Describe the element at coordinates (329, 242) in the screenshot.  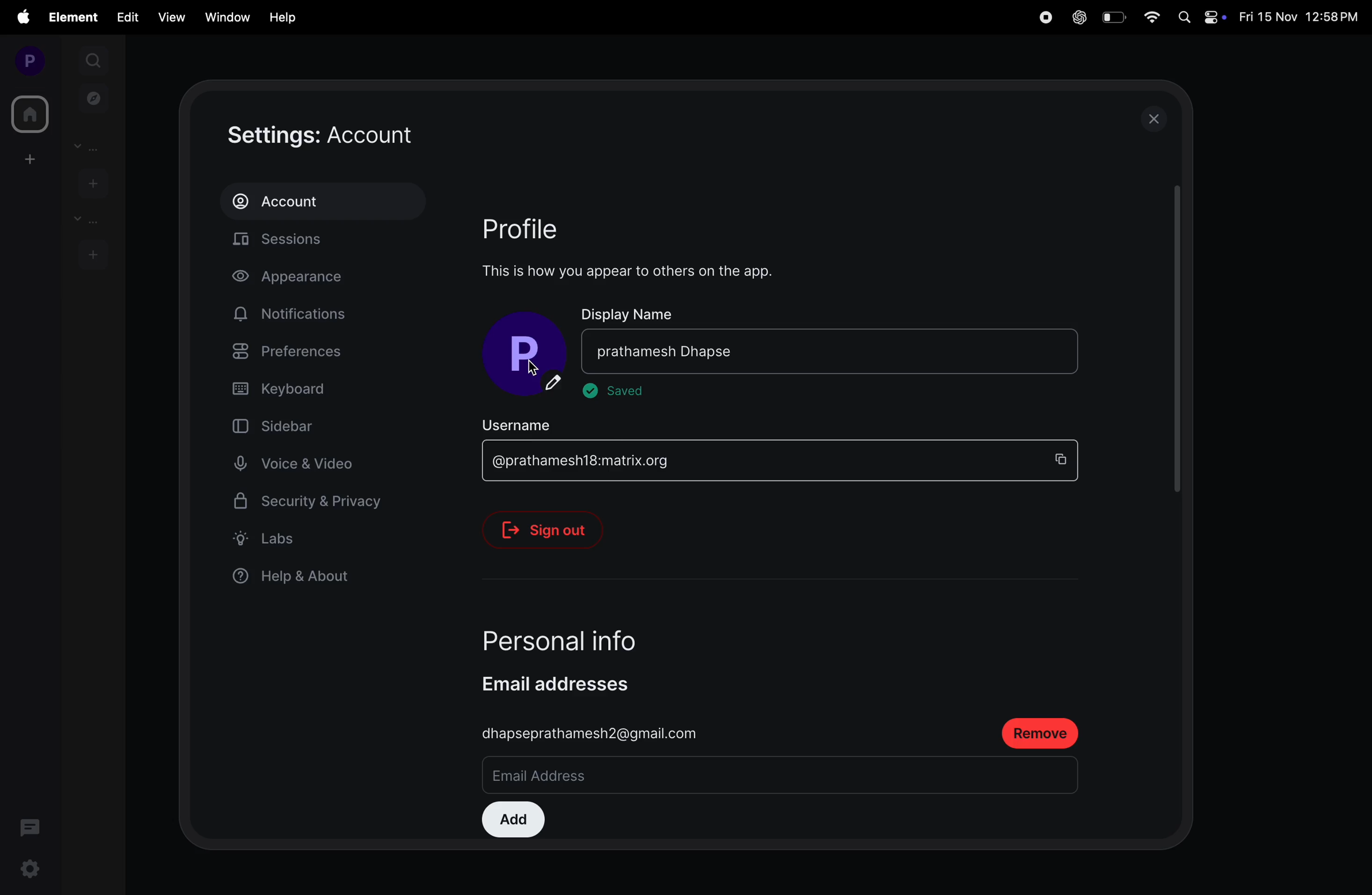
I see `sessions` at that location.